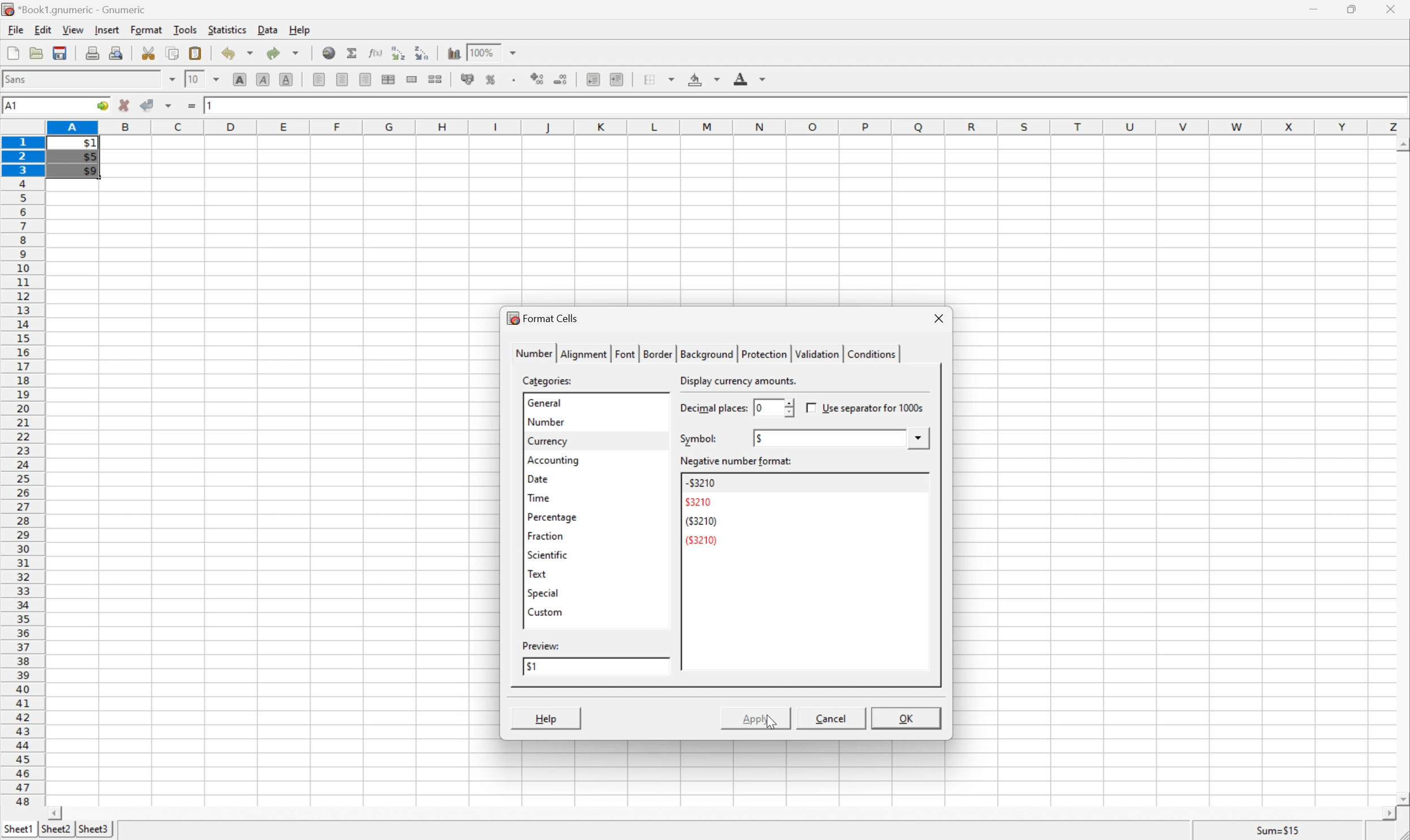 Image resolution: width=1410 pixels, height=840 pixels. What do you see at coordinates (773, 437) in the screenshot?
I see `none` at bounding box center [773, 437].